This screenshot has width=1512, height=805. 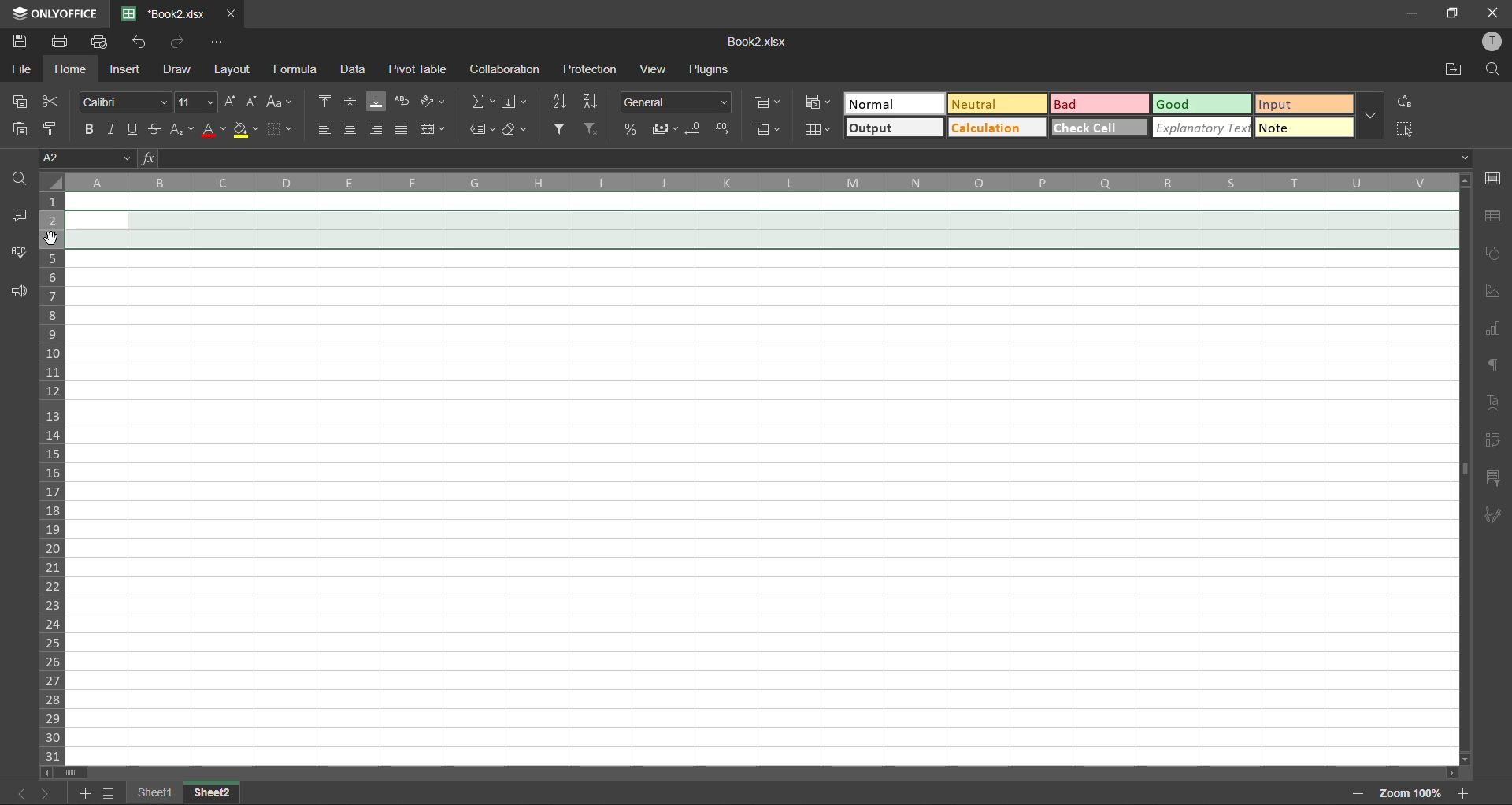 What do you see at coordinates (594, 69) in the screenshot?
I see `protection` at bounding box center [594, 69].